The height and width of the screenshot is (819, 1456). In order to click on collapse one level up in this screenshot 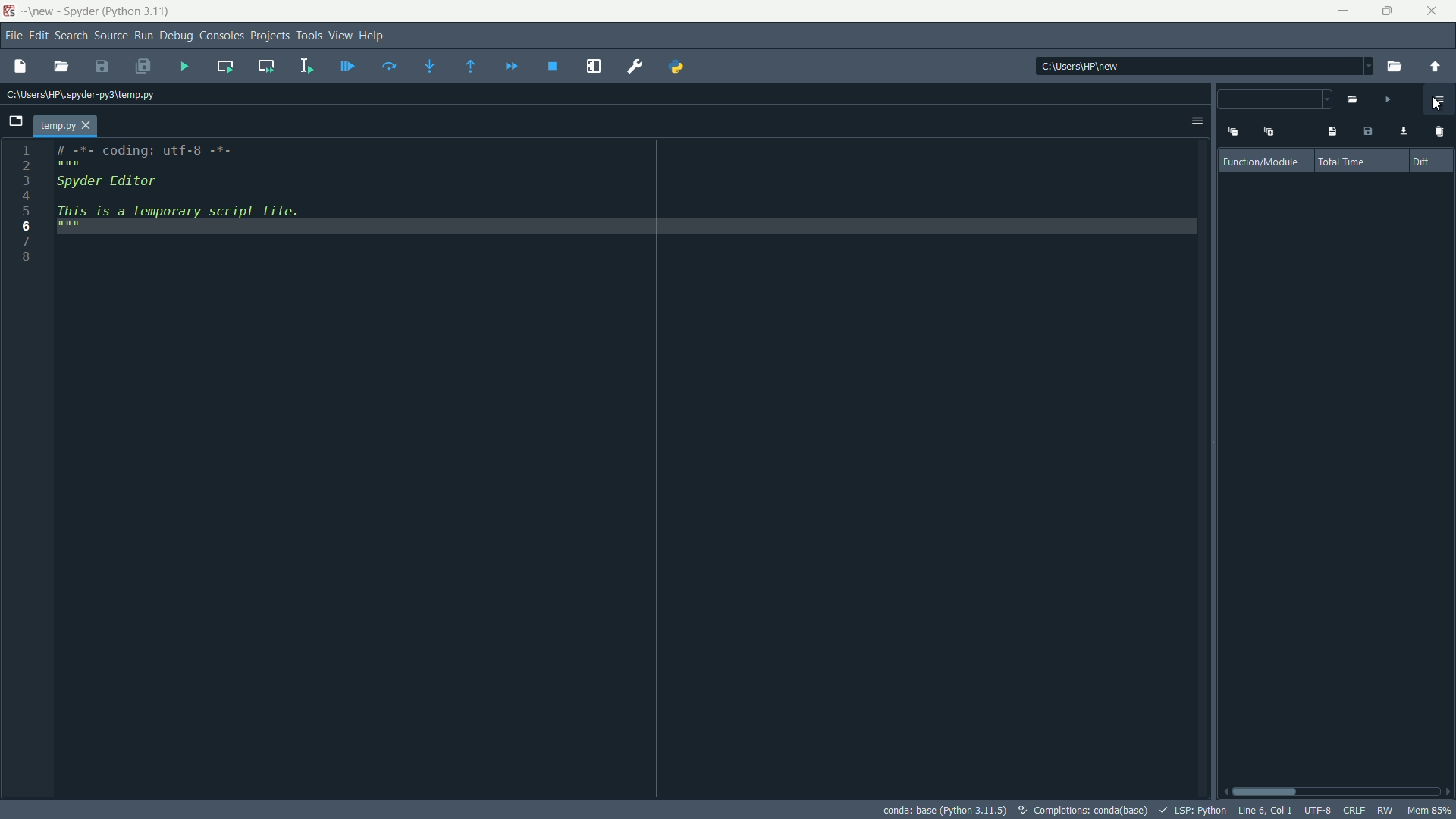, I will do `click(1232, 130)`.